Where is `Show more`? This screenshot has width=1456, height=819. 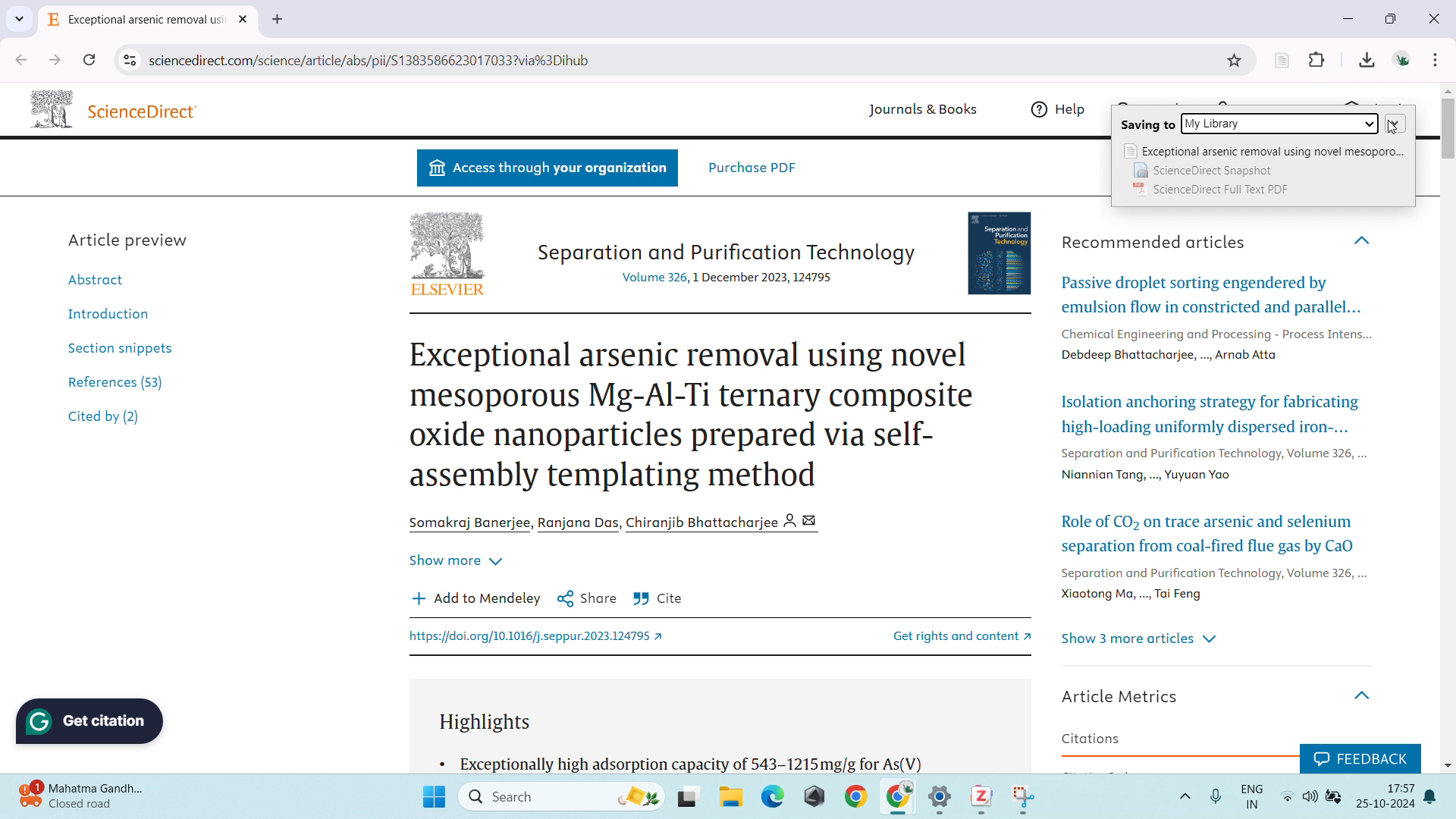
Show more is located at coordinates (455, 557).